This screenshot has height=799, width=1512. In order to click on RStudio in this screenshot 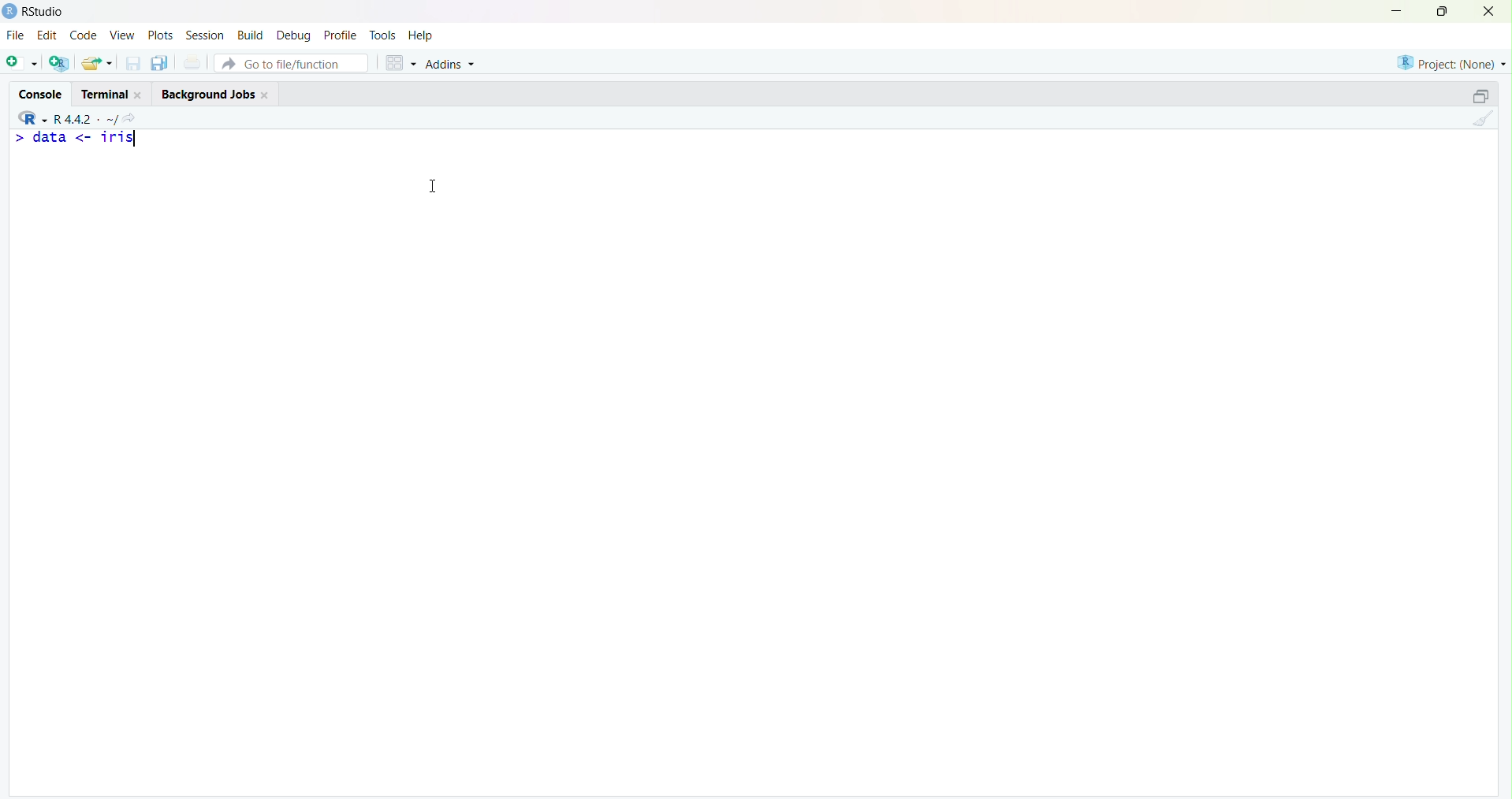, I will do `click(37, 11)`.